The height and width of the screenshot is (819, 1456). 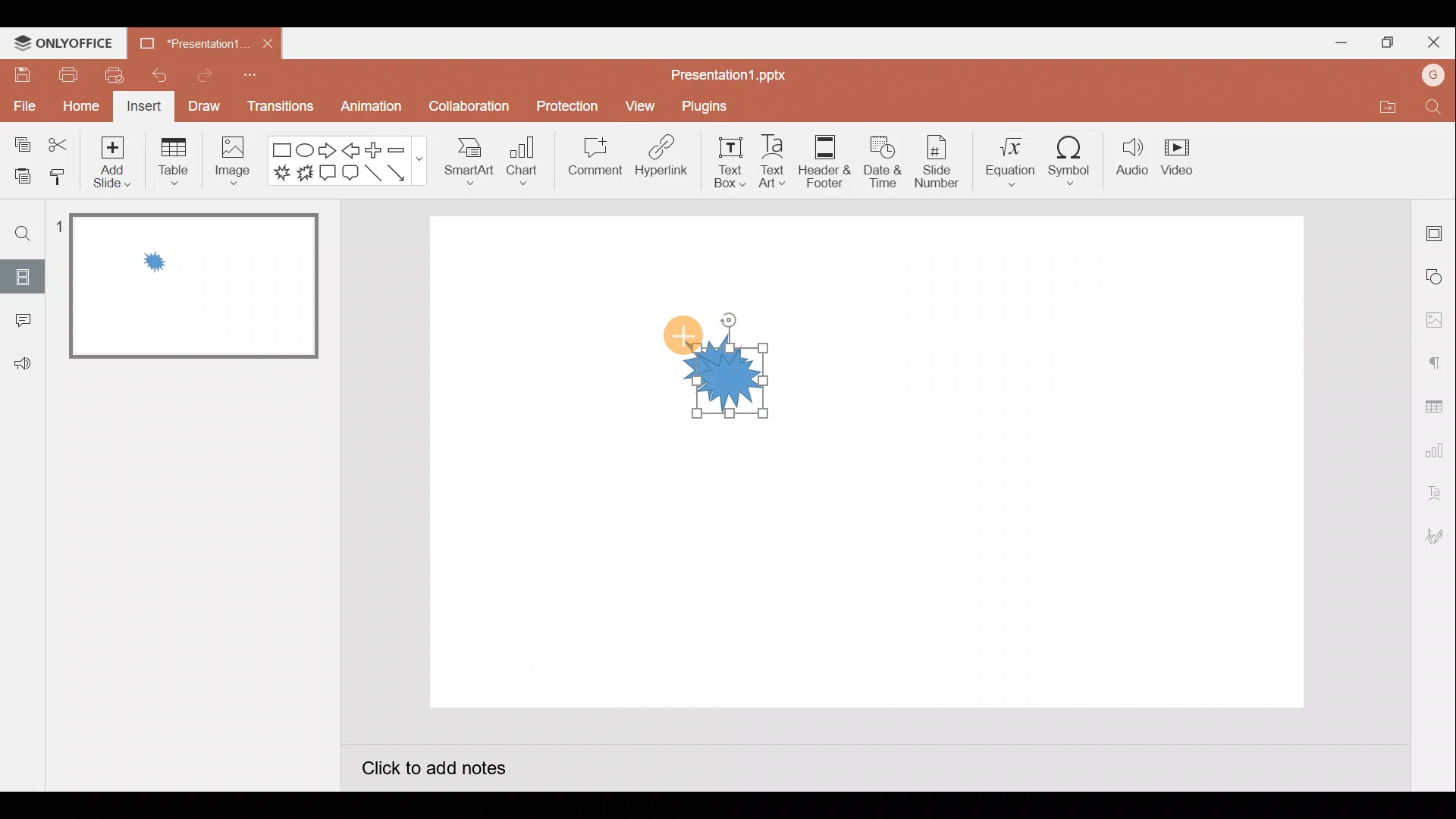 I want to click on Print file, so click(x=67, y=75).